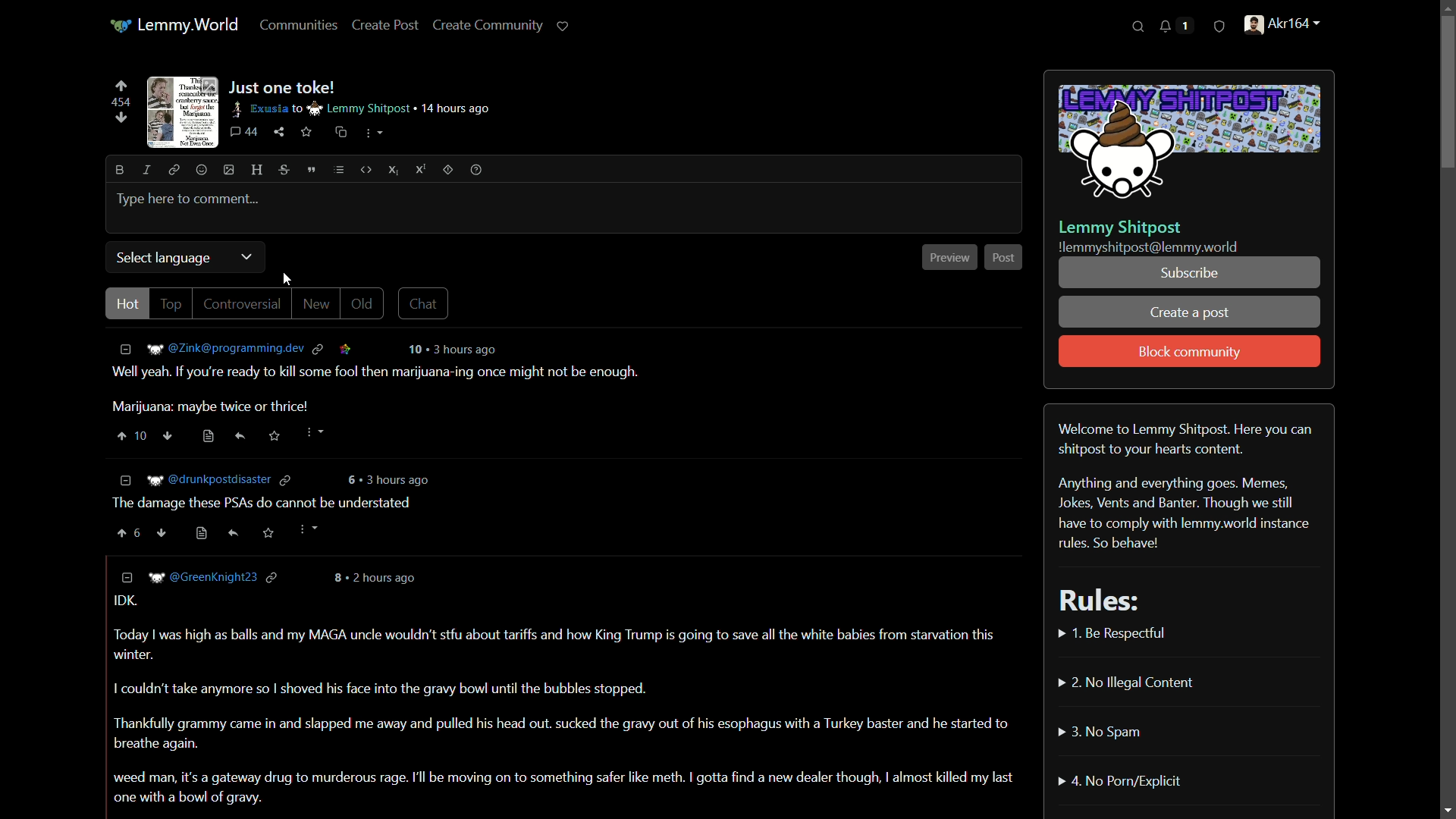 The height and width of the screenshot is (819, 1456). What do you see at coordinates (488, 27) in the screenshot?
I see `create community` at bounding box center [488, 27].